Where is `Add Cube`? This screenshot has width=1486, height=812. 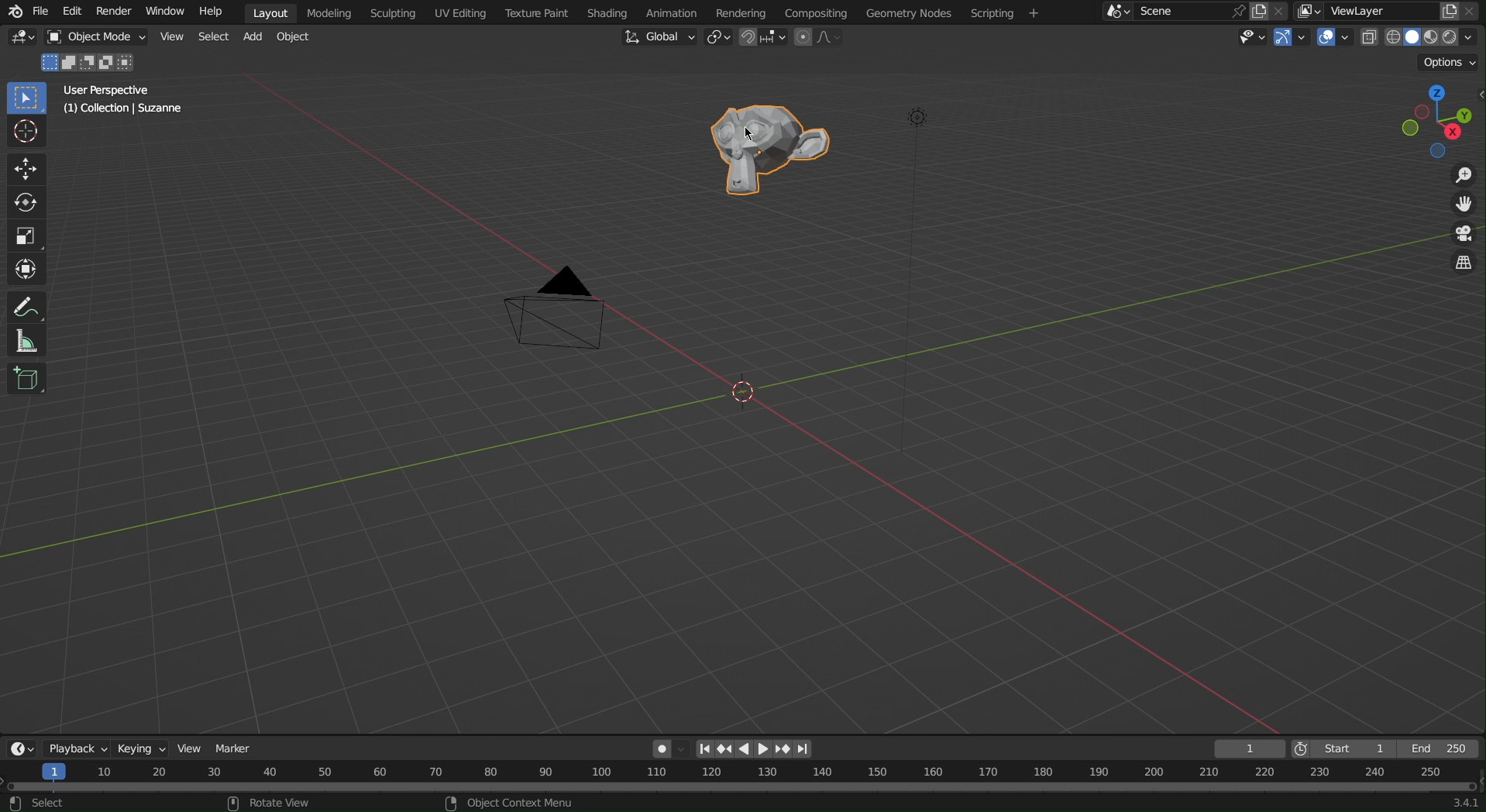
Add Cube is located at coordinates (25, 379).